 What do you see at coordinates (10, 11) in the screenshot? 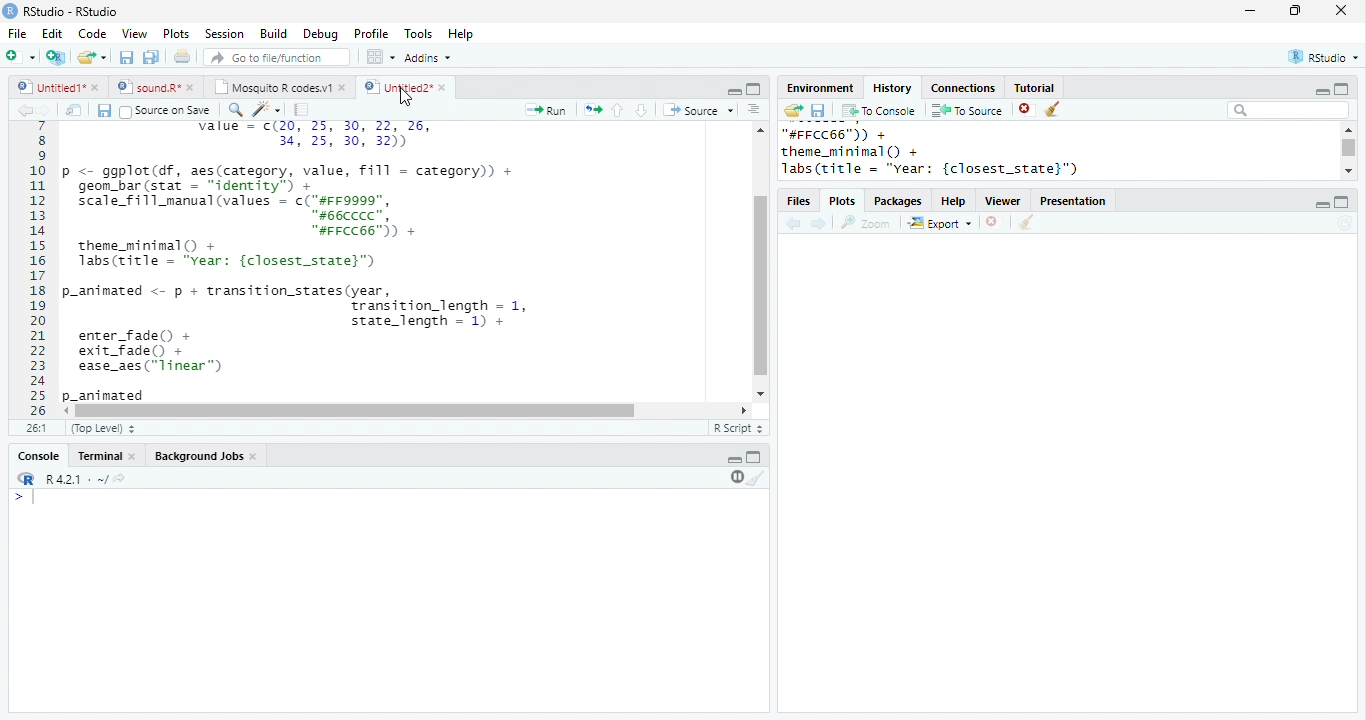
I see `logo` at bounding box center [10, 11].